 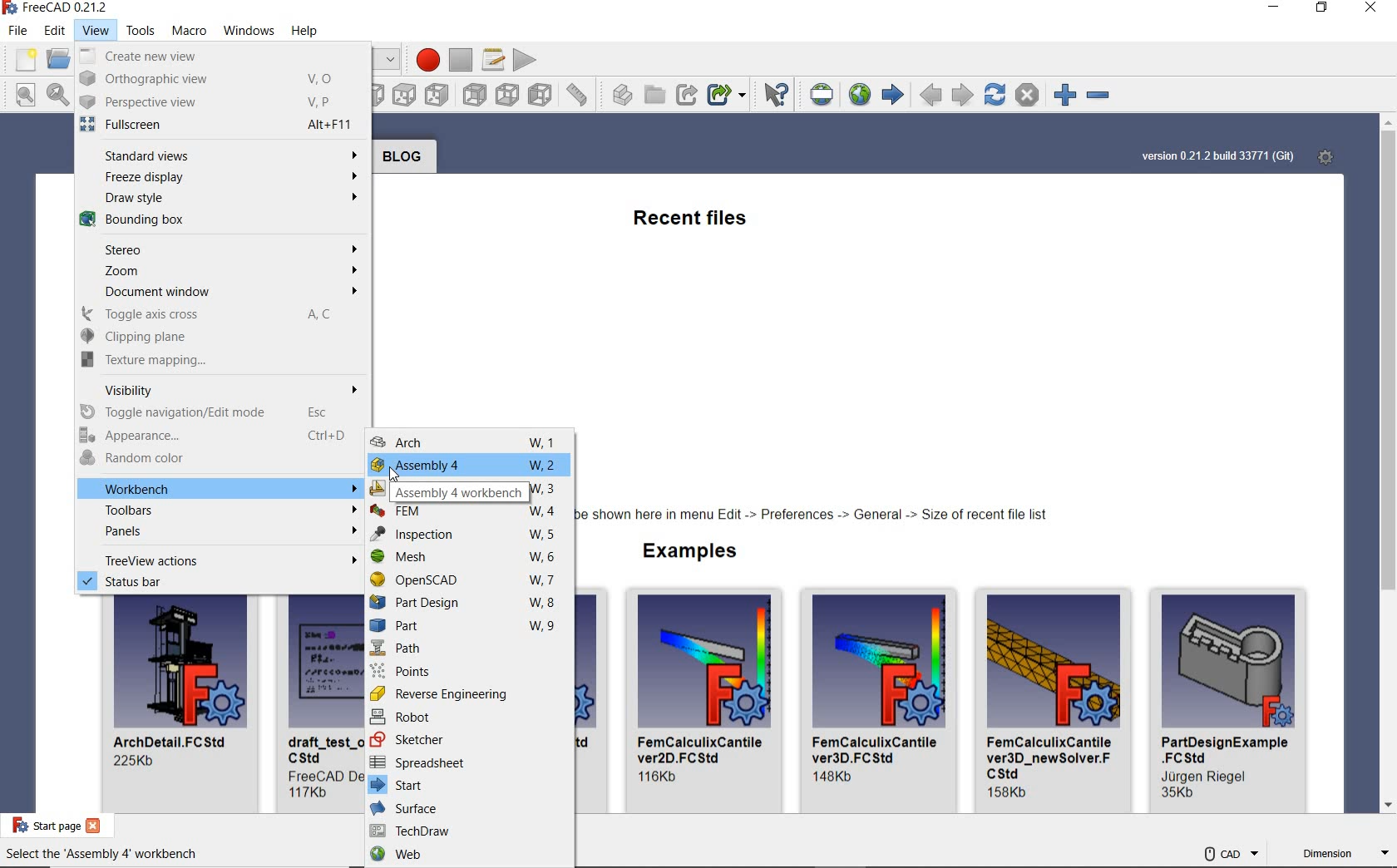 What do you see at coordinates (425, 60) in the screenshot?
I see `macro recording` at bounding box center [425, 60].